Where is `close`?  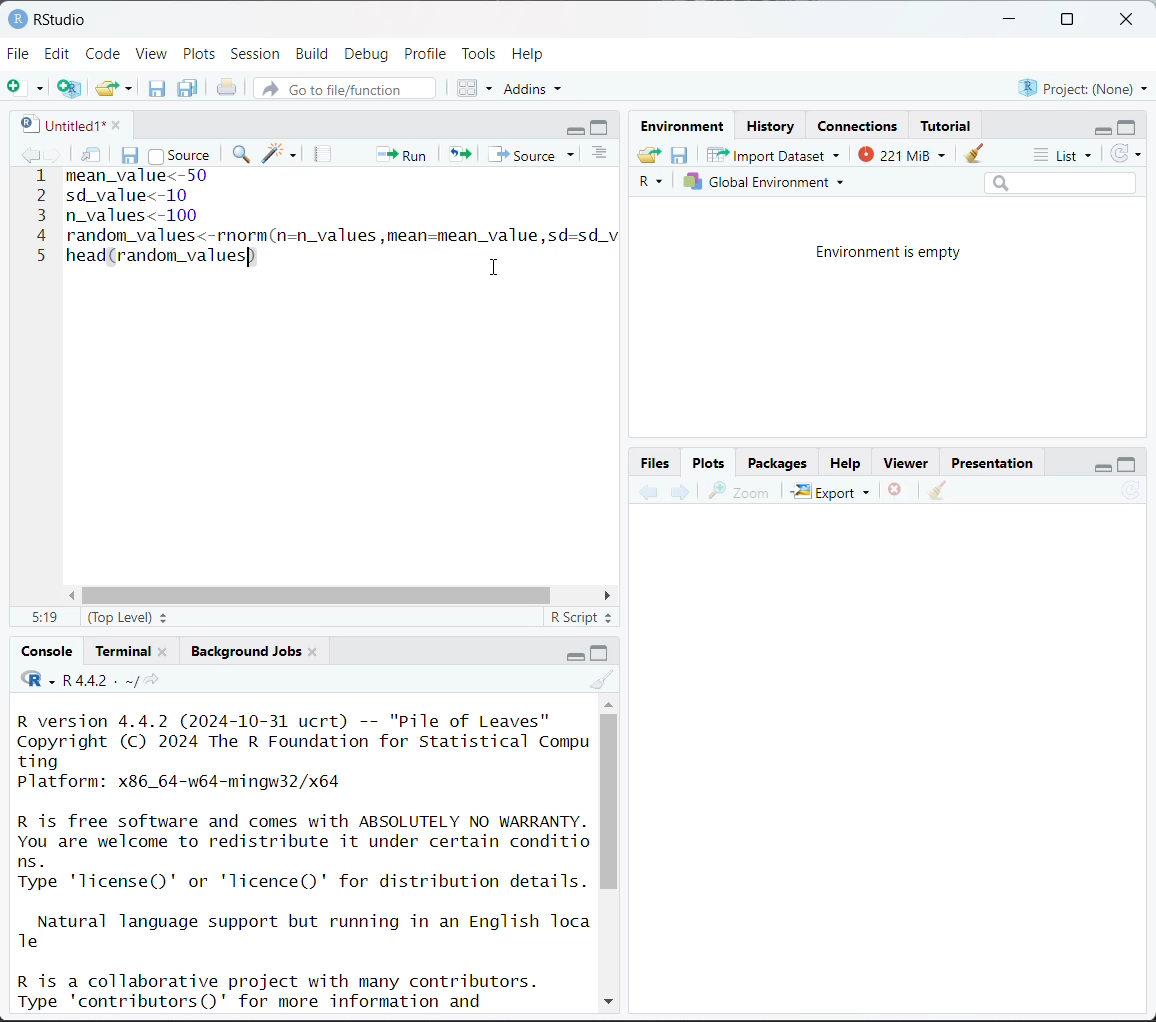 close is located at coordinates (313, 650).